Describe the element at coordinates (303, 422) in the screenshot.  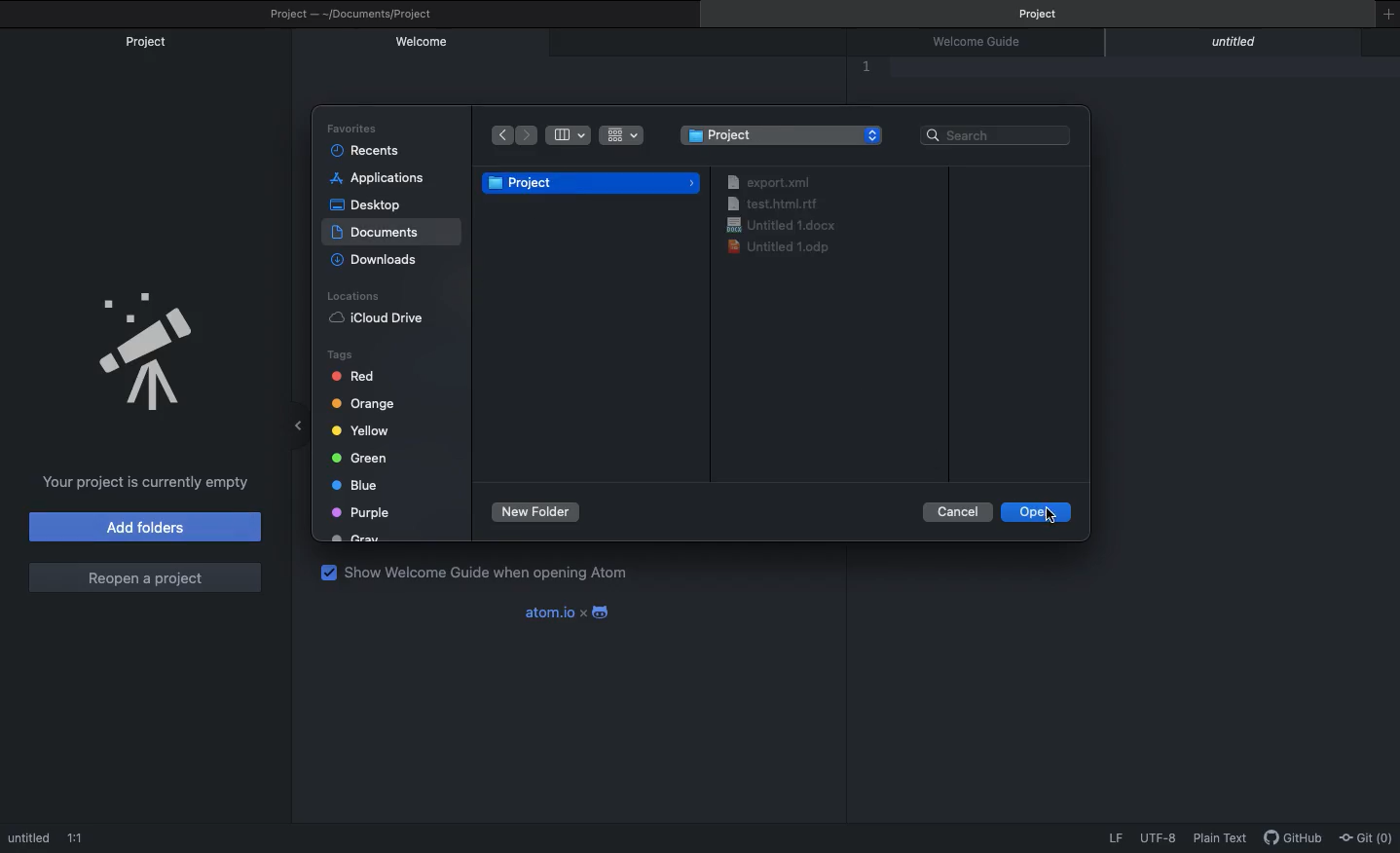
I see `Minimize` at that location.